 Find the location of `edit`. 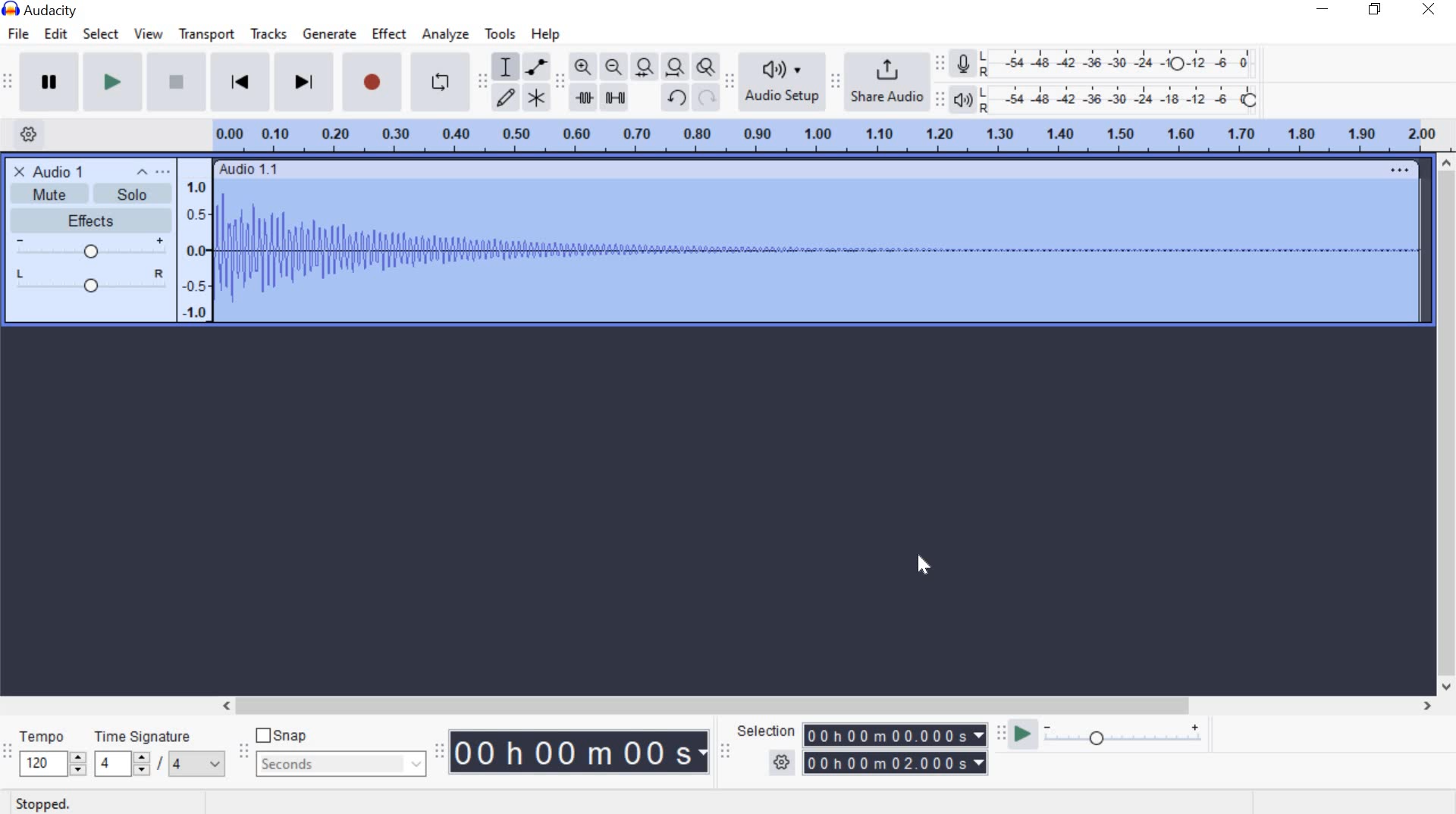

edit is located at coordinates (58, 33).